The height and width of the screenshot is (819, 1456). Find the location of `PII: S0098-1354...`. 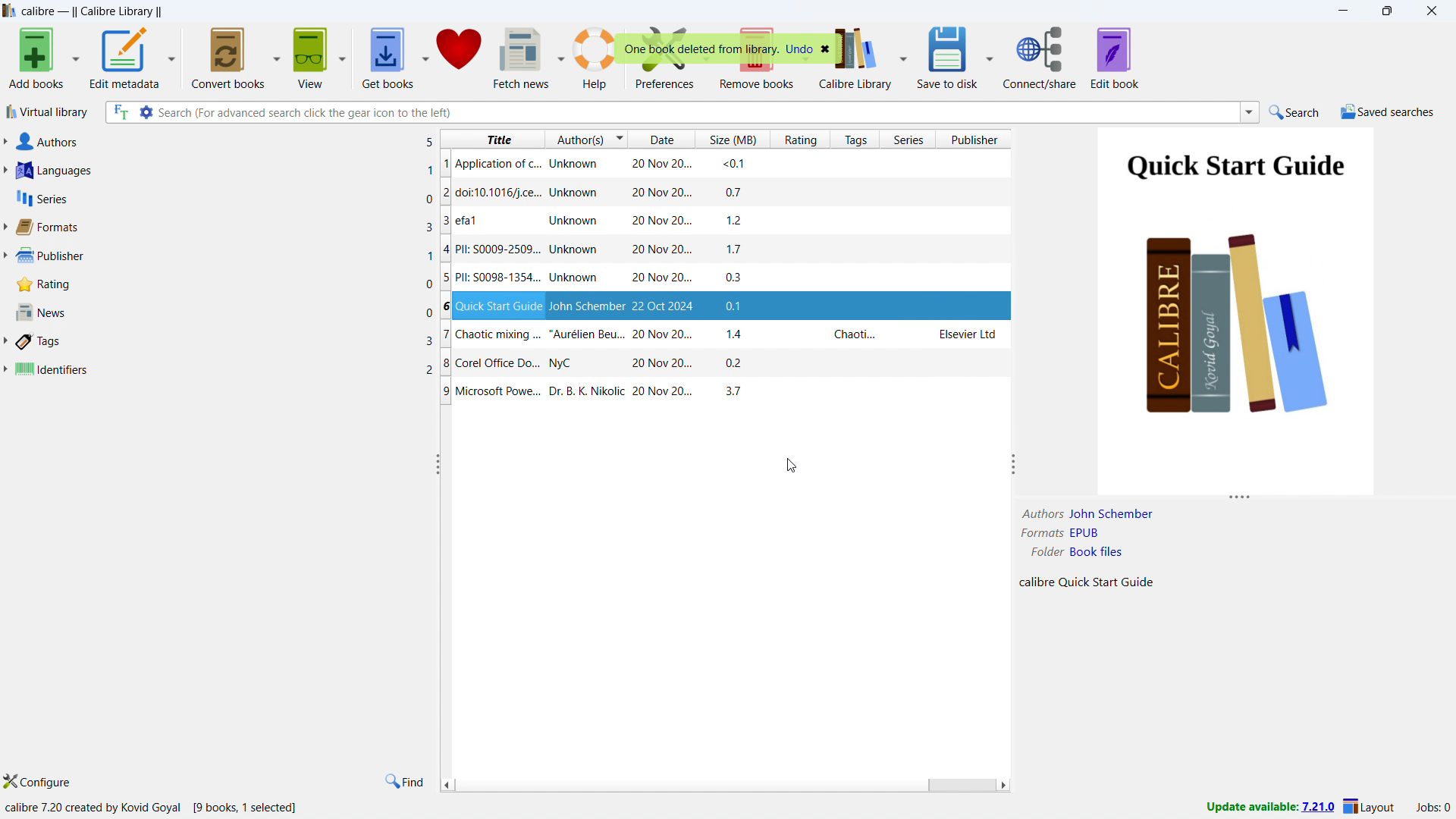

PII: S0098-1354... is located at coordinates (730, 278).